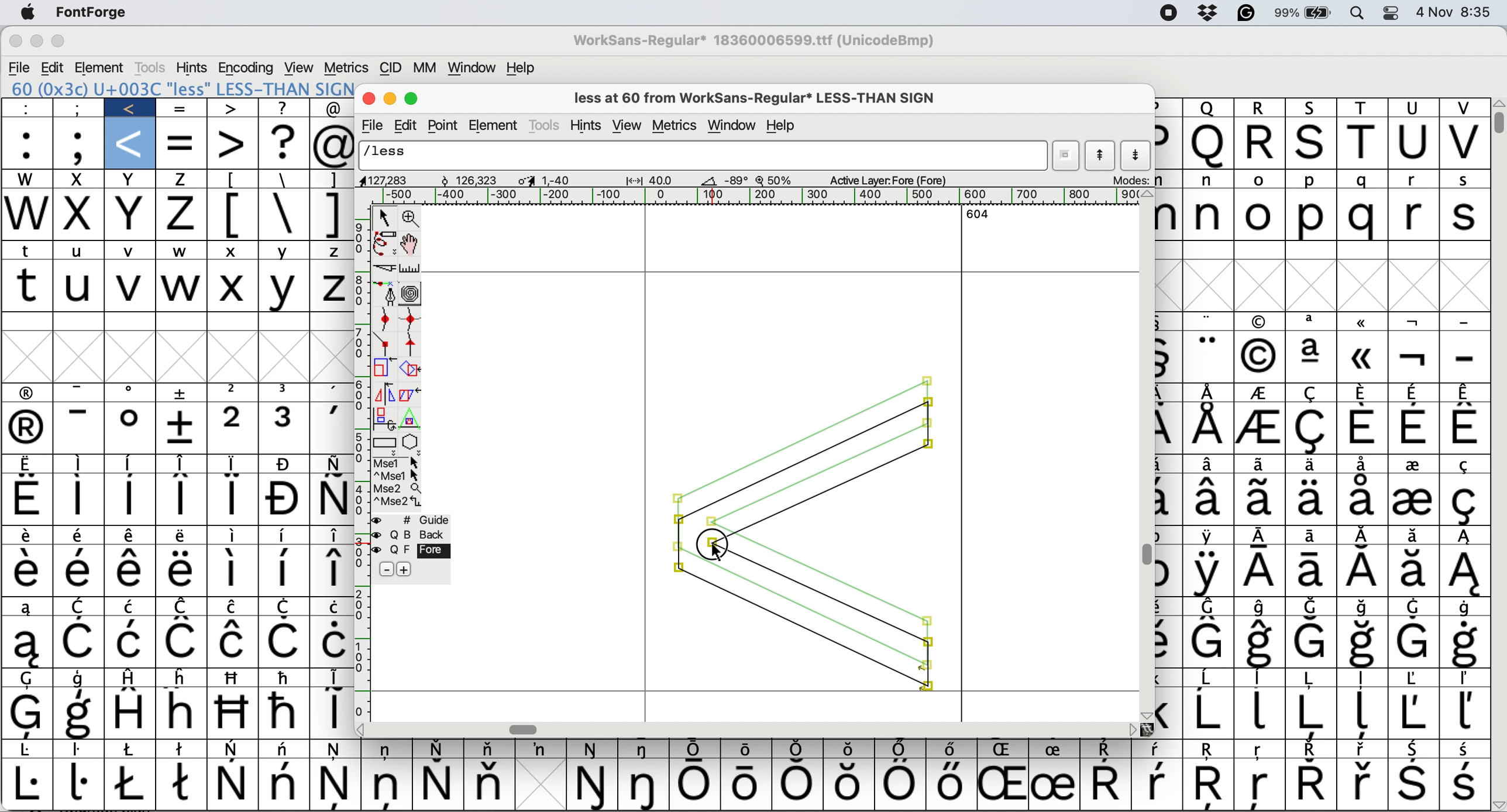 This screenshot has width=1507, height=812. Describe the element at coordinates (1170, 502) in the screenshot. I see `Symbol` at that location.